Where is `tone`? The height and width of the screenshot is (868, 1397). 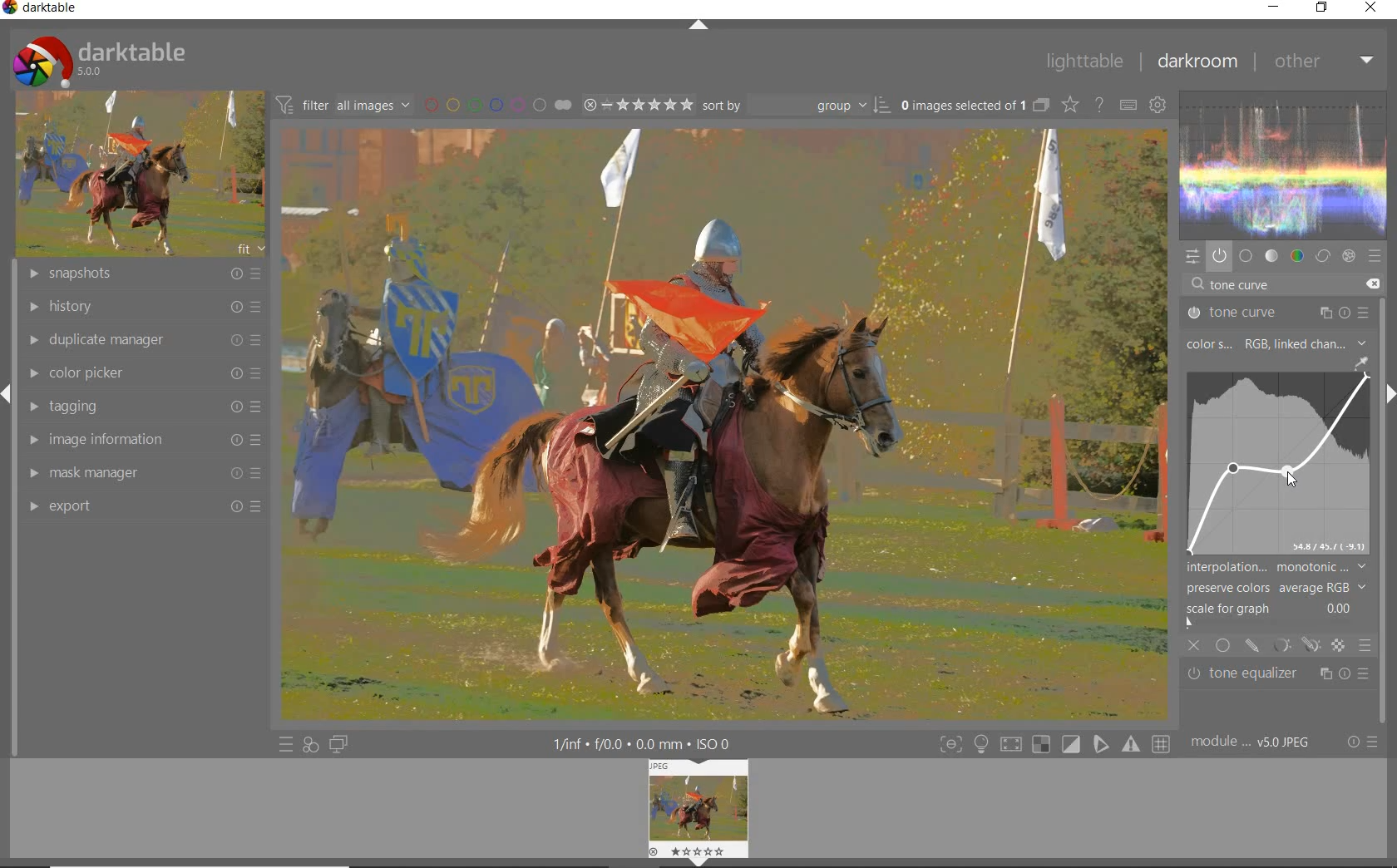
tone is located at coordinates (1272, 256).